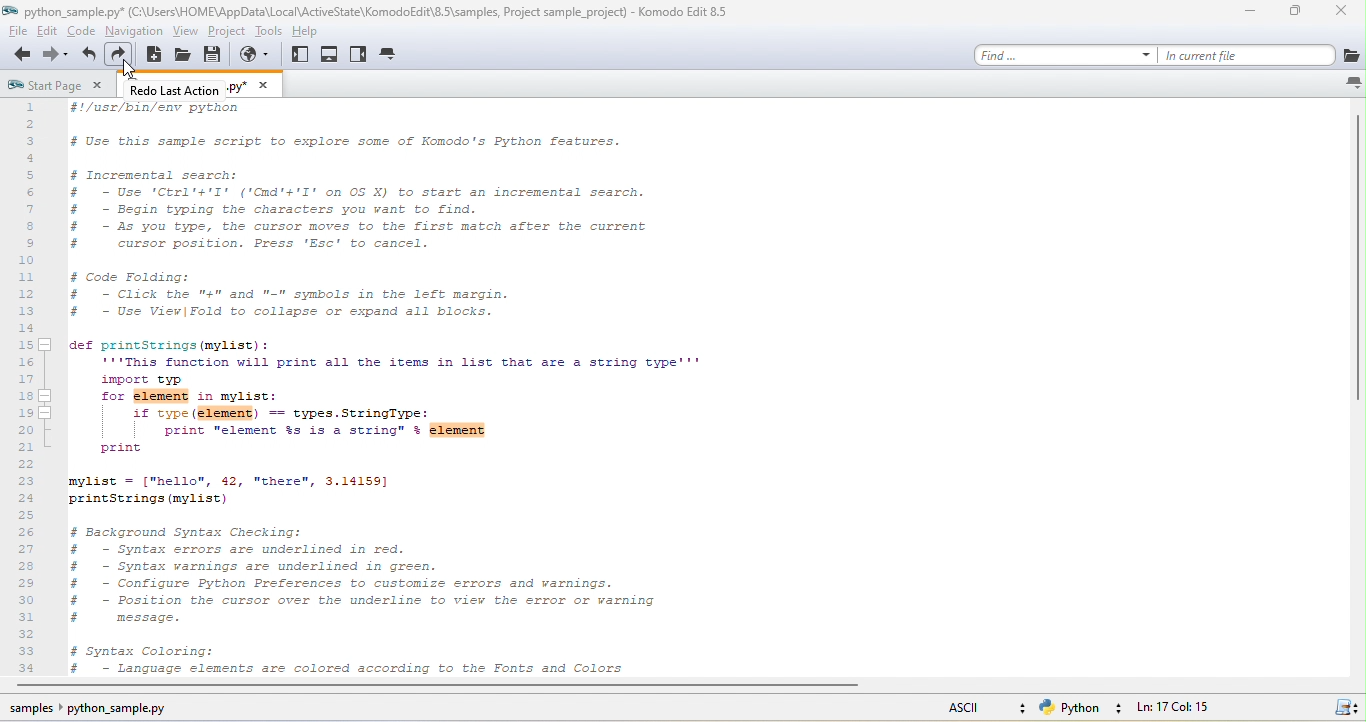  Describe the element at coordinates (104, 709) in the screenshot. I see `file path` at that location.